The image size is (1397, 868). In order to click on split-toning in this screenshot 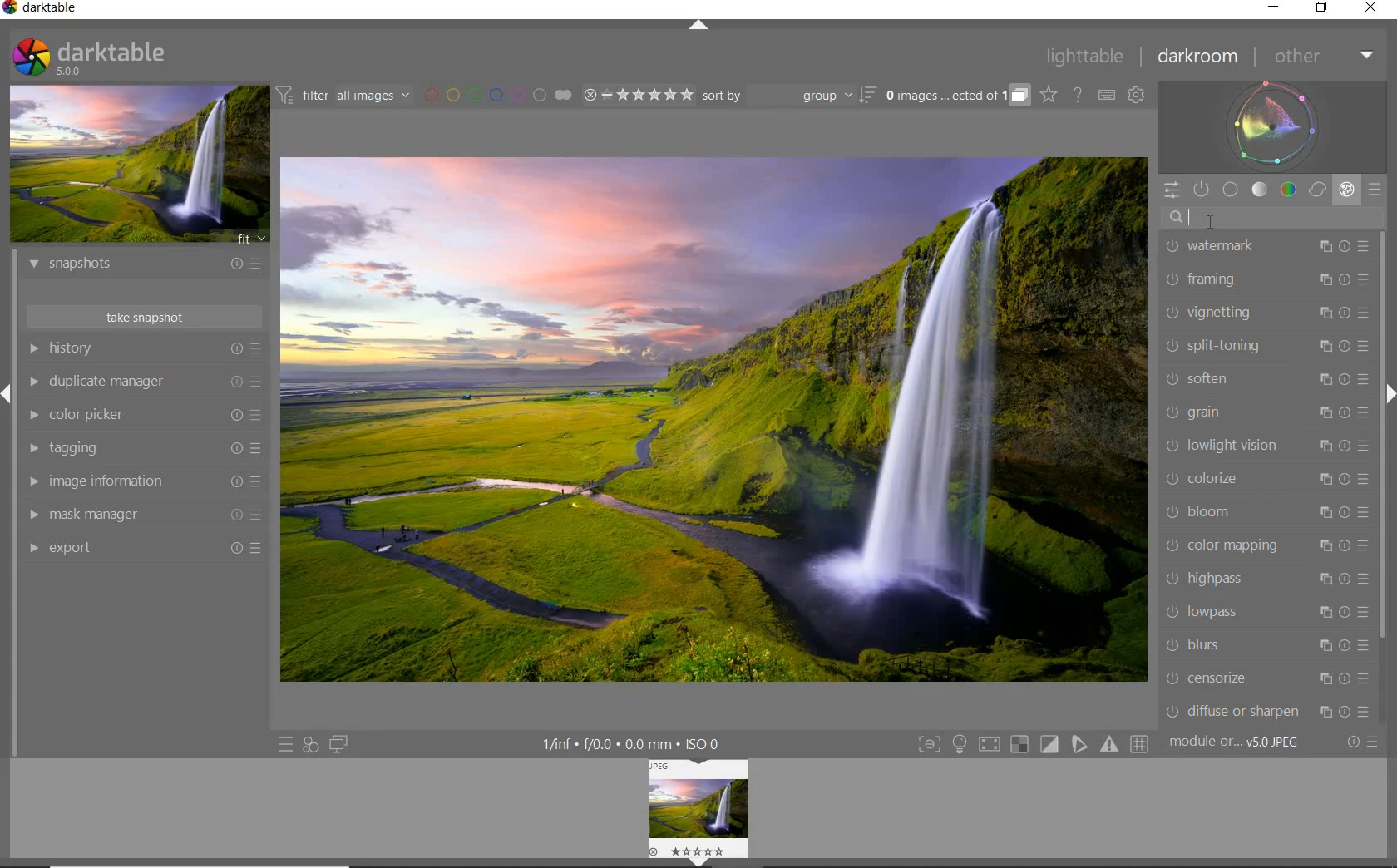, I will do `click(1266, 348)`.